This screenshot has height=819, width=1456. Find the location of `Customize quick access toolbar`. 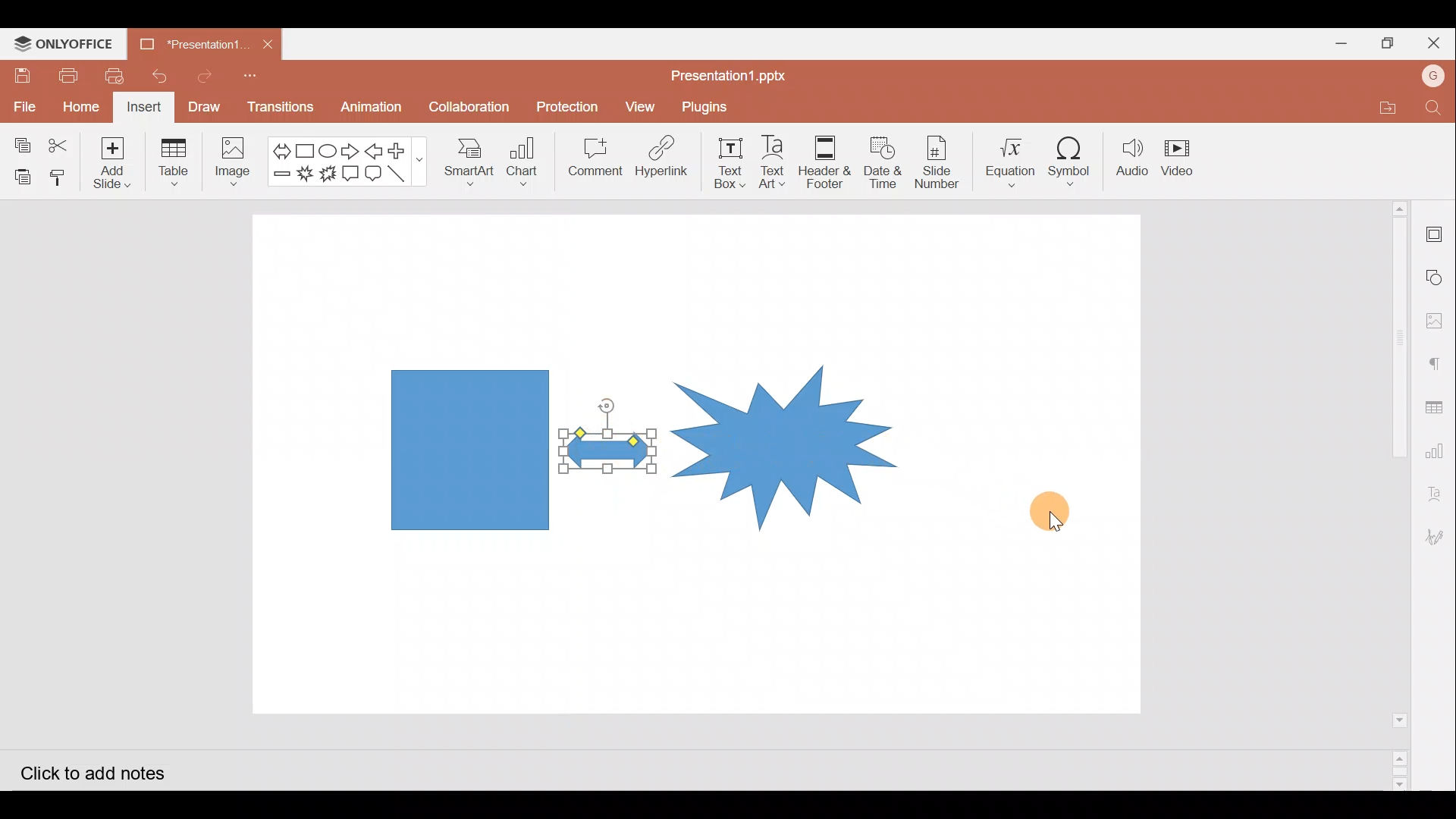

Customize quick access toolbar is located at coordinates (259, 77).